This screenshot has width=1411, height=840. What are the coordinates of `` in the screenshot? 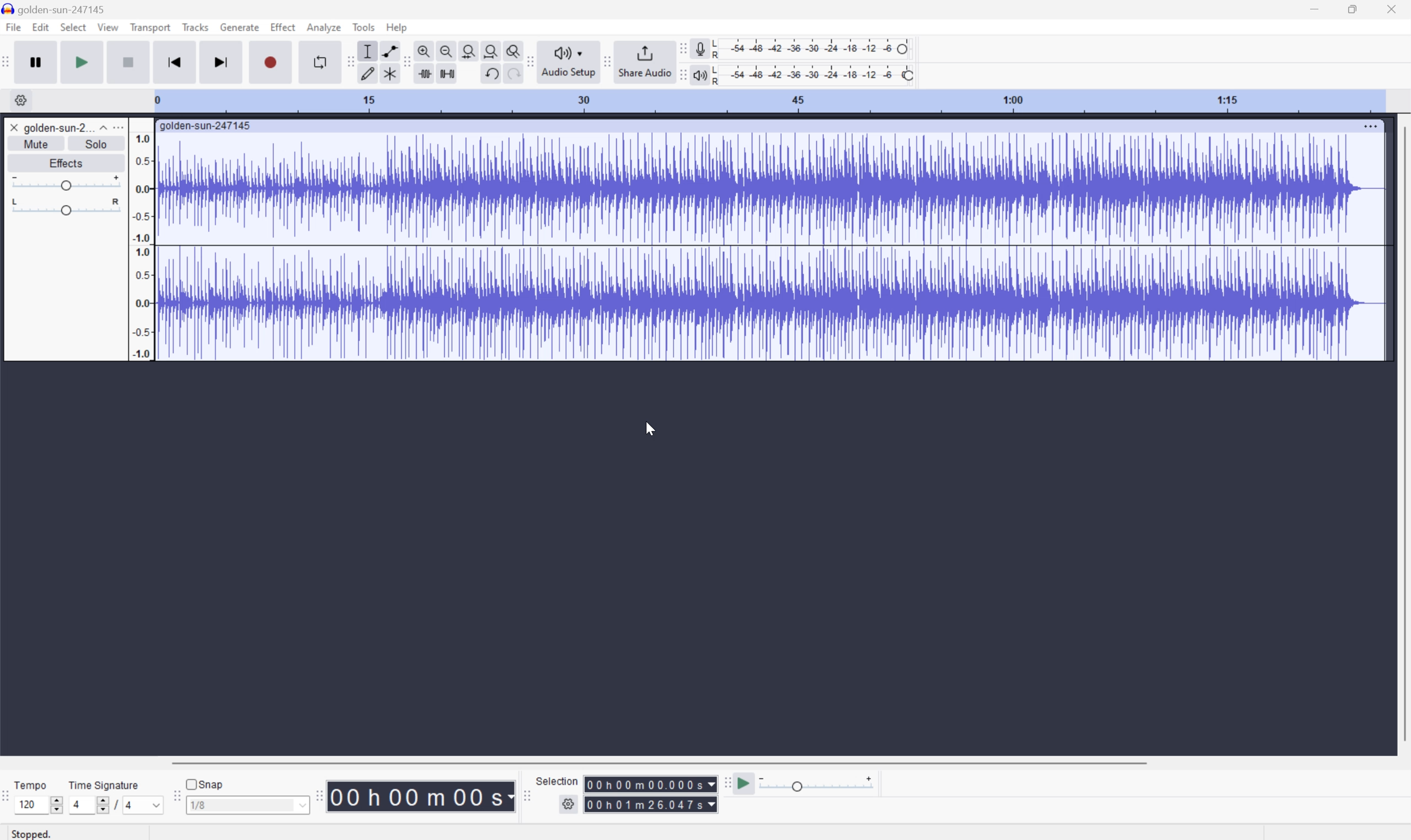 It's located at (650, 784).